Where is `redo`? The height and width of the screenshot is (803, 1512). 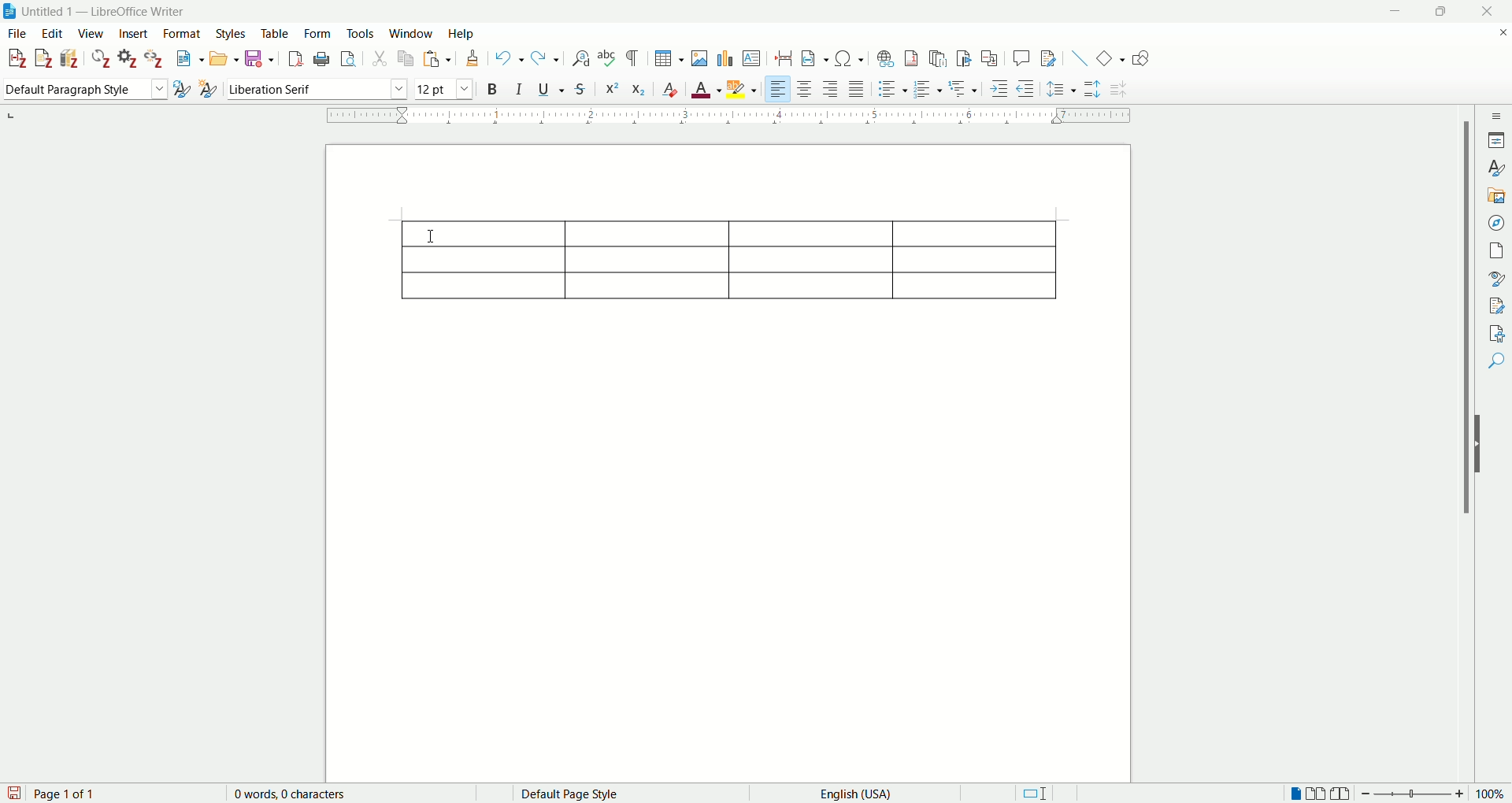
redo is located at coordinates (544, 58).